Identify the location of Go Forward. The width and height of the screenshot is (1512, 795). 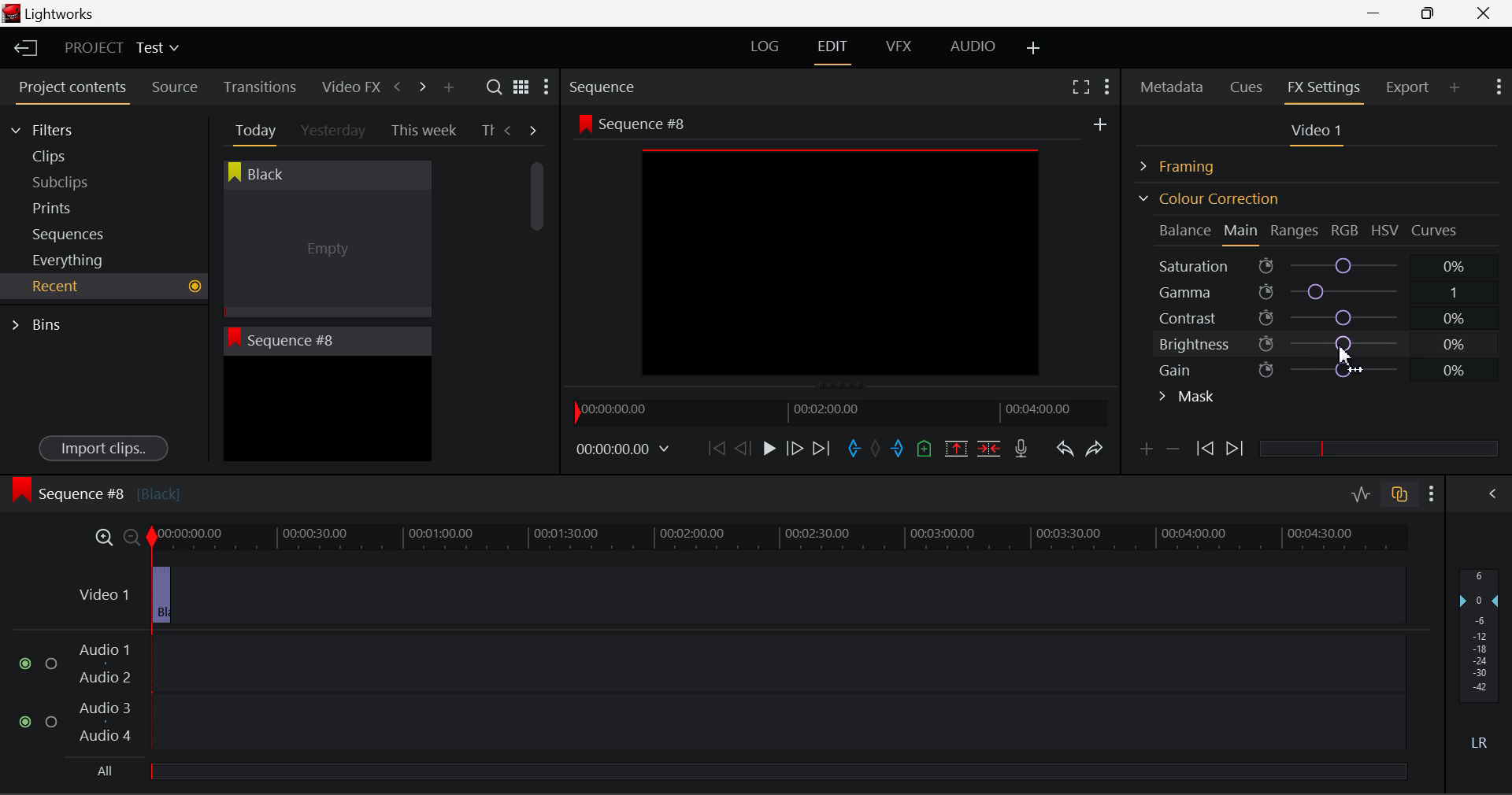
(795, 448).